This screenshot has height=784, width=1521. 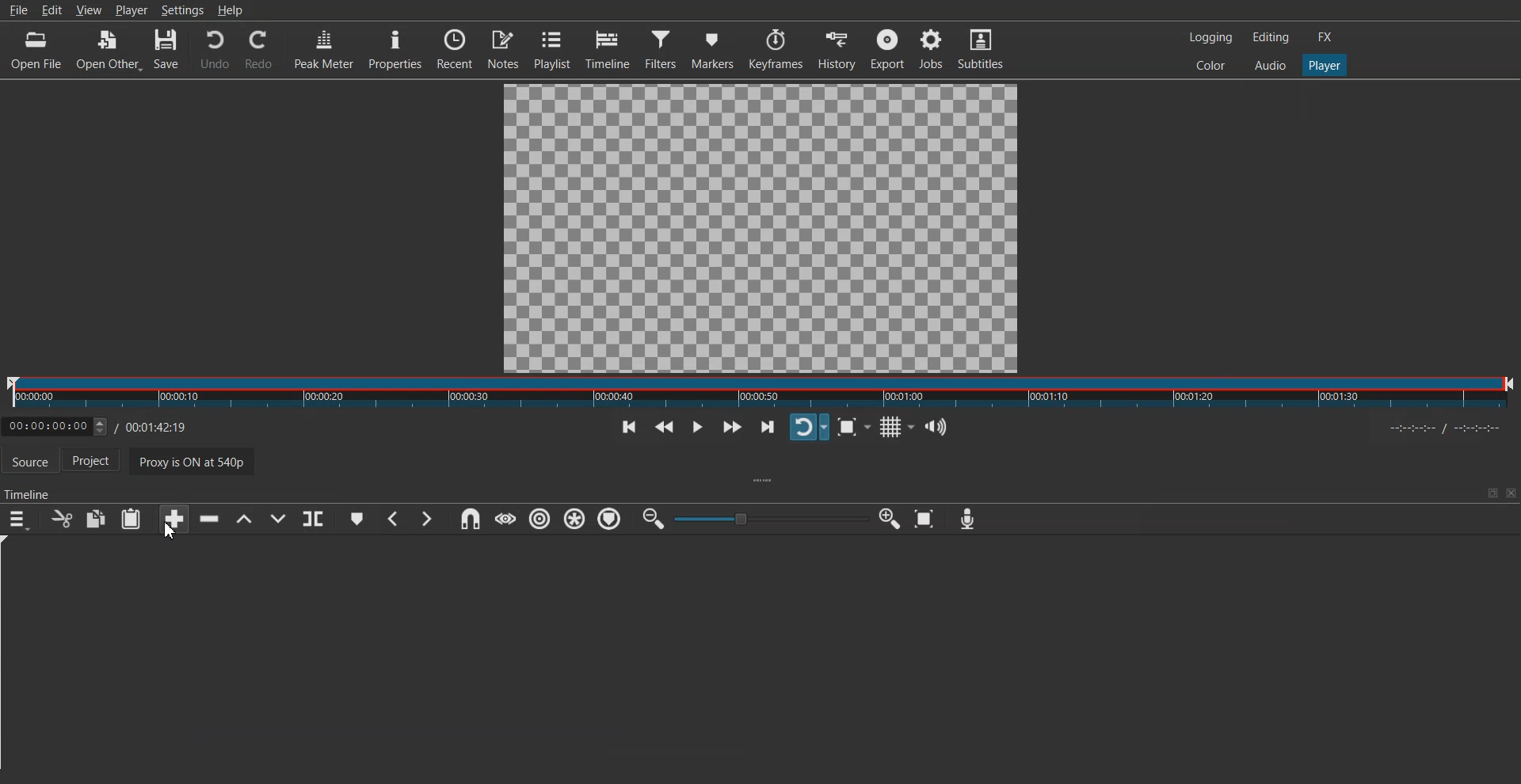 I want to click on Paste, so click(x=131, y=519).